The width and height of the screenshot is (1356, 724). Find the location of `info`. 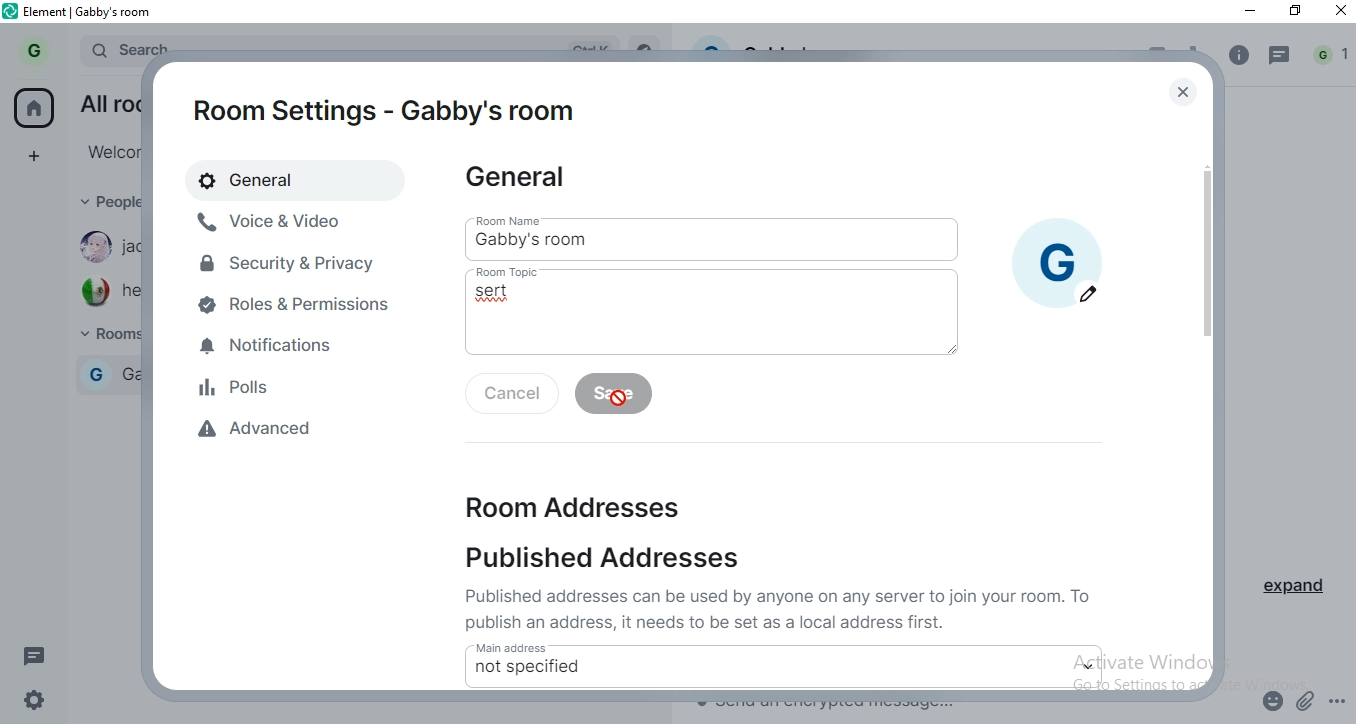

info is located at coordinates (1239, 55).